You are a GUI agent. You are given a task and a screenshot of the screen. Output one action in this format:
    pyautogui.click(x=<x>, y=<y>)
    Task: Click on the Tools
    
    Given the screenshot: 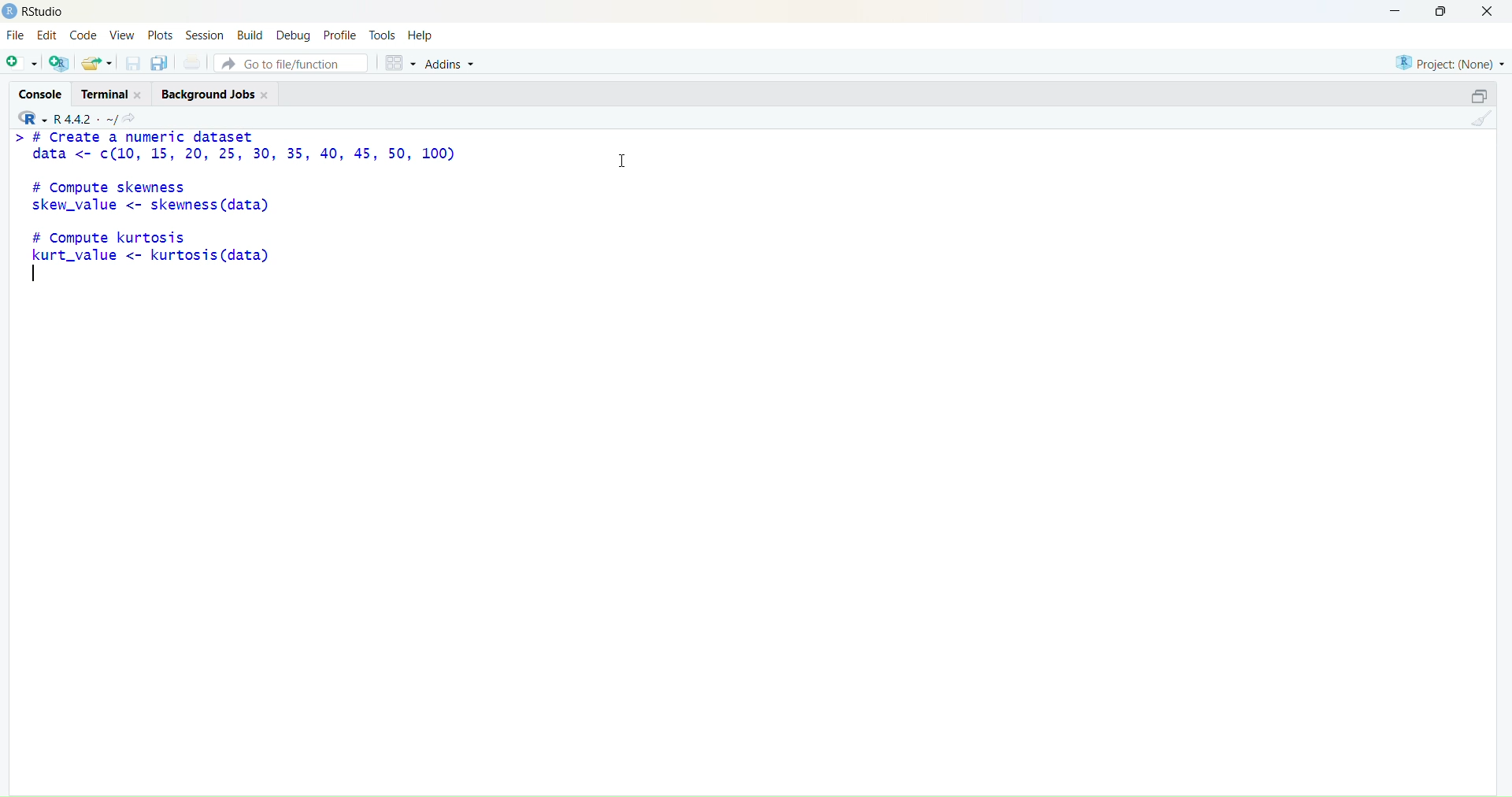 What is the action you would take?
    pyautogui.click(x=383, y=32)
    